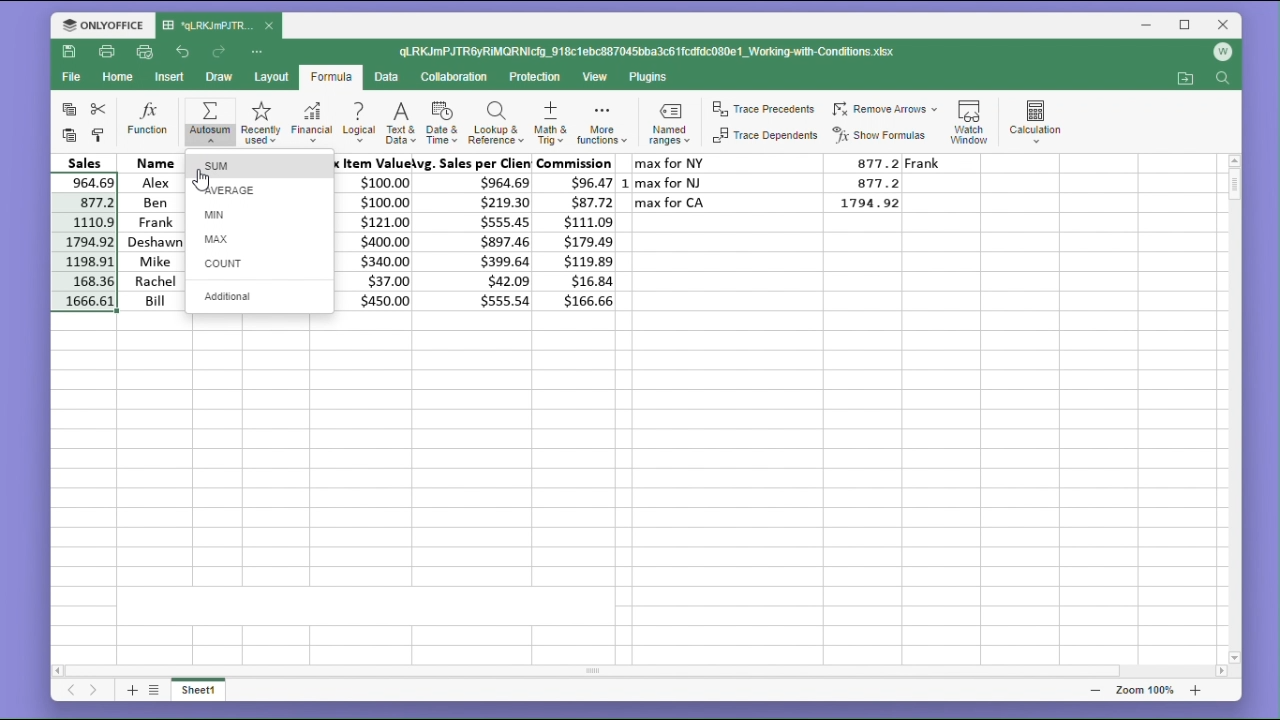 The image size is (1280, 720). What do you see at coordinates (580, 233) in the screenshot?
I see `commission` at bounding box center [580, 233].